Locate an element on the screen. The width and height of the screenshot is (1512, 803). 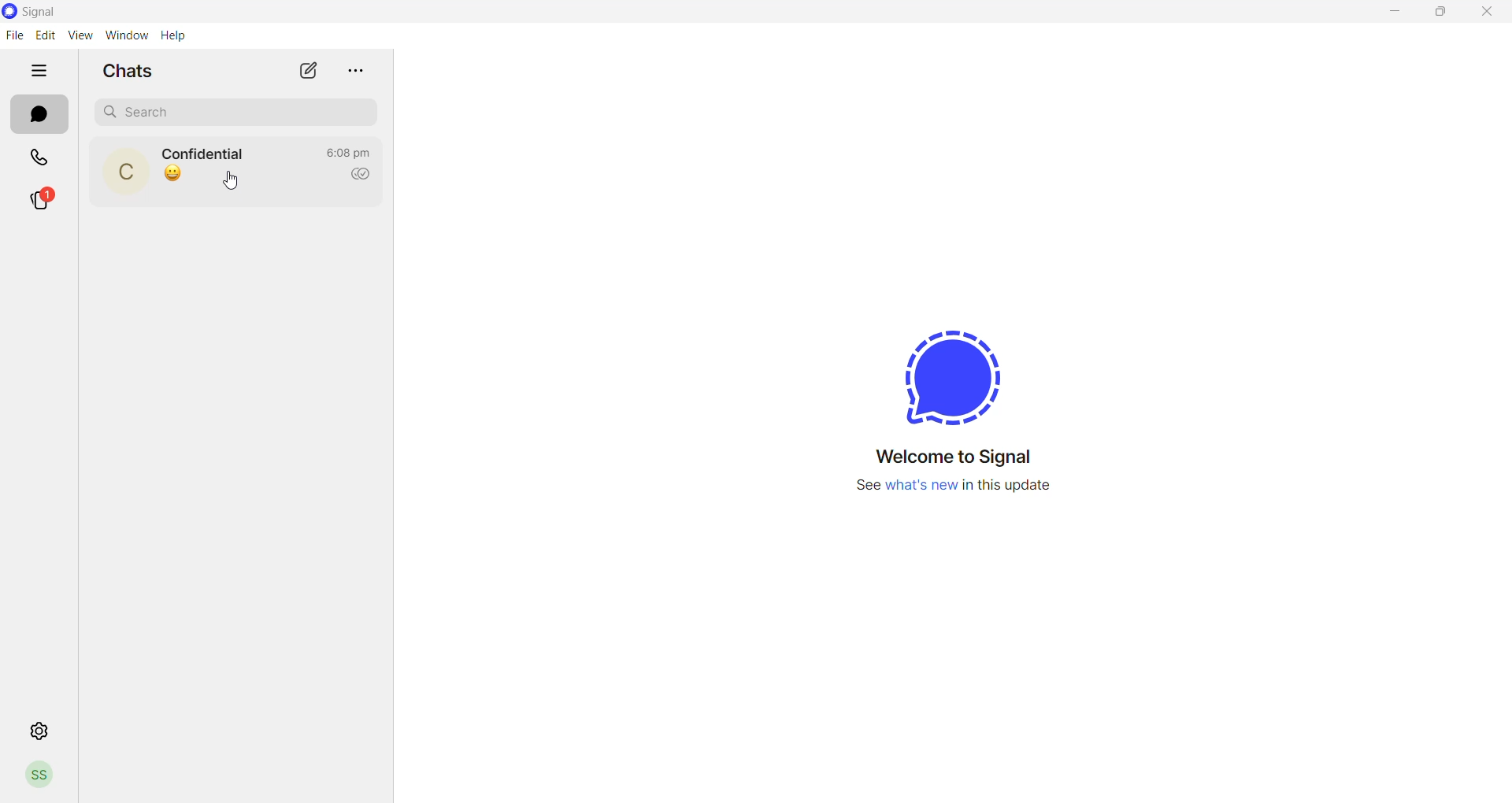
calls is located at coordinates (46, 158).